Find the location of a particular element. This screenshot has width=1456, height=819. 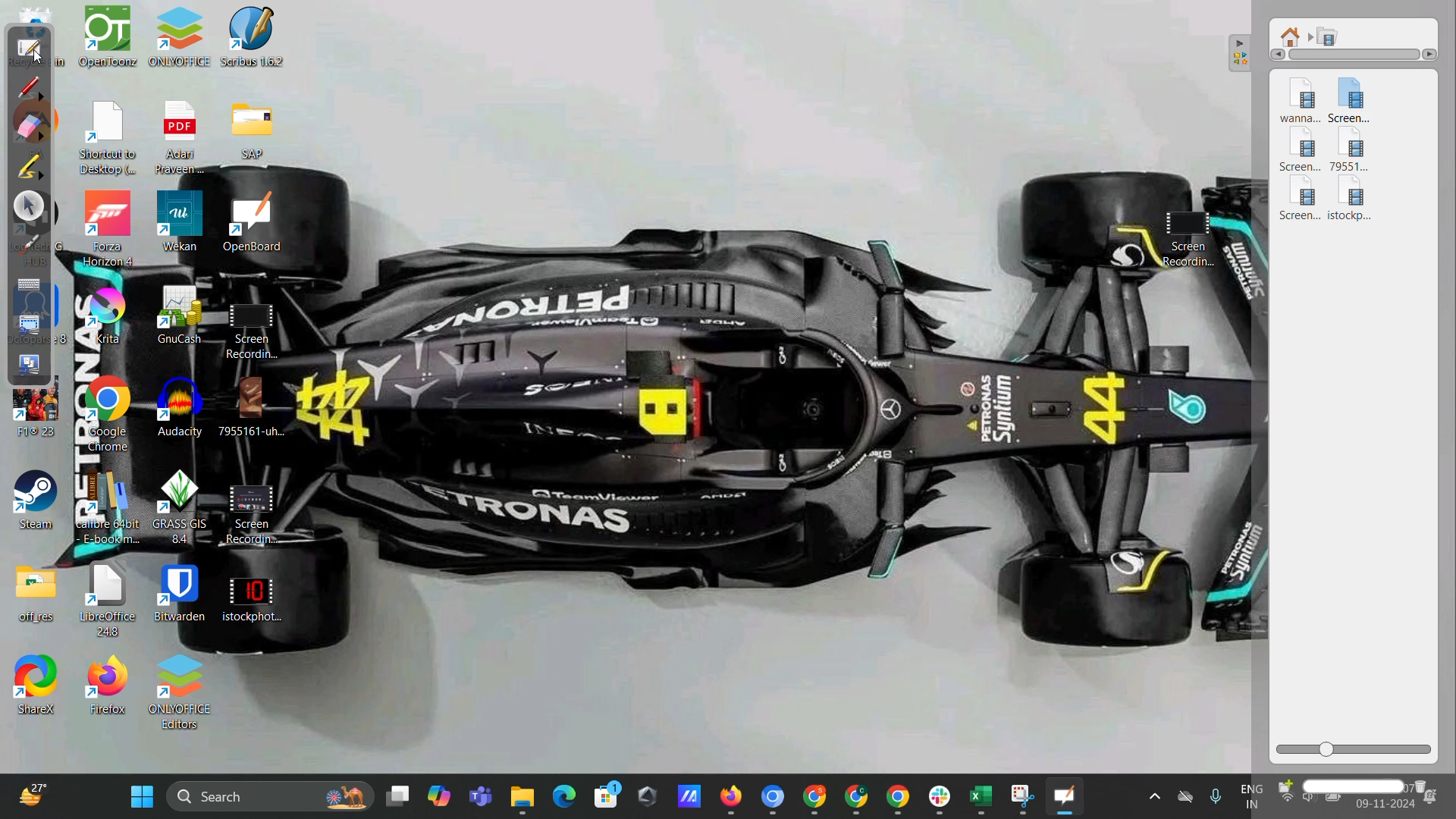

Cursor is located at coordinates (41, 57).